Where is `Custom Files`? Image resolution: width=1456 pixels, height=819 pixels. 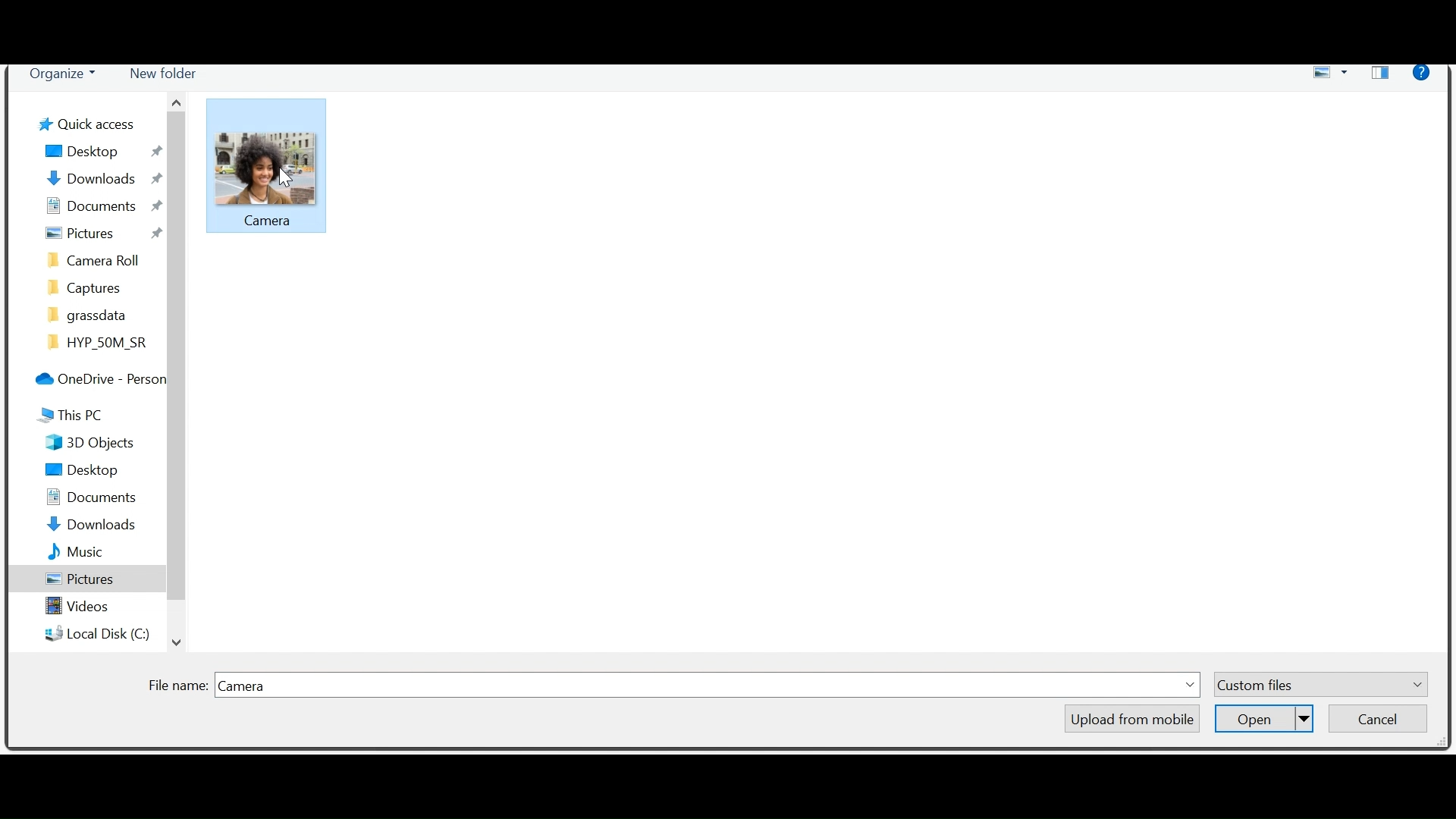 Custom Files is located at coordinates (1321, 684).